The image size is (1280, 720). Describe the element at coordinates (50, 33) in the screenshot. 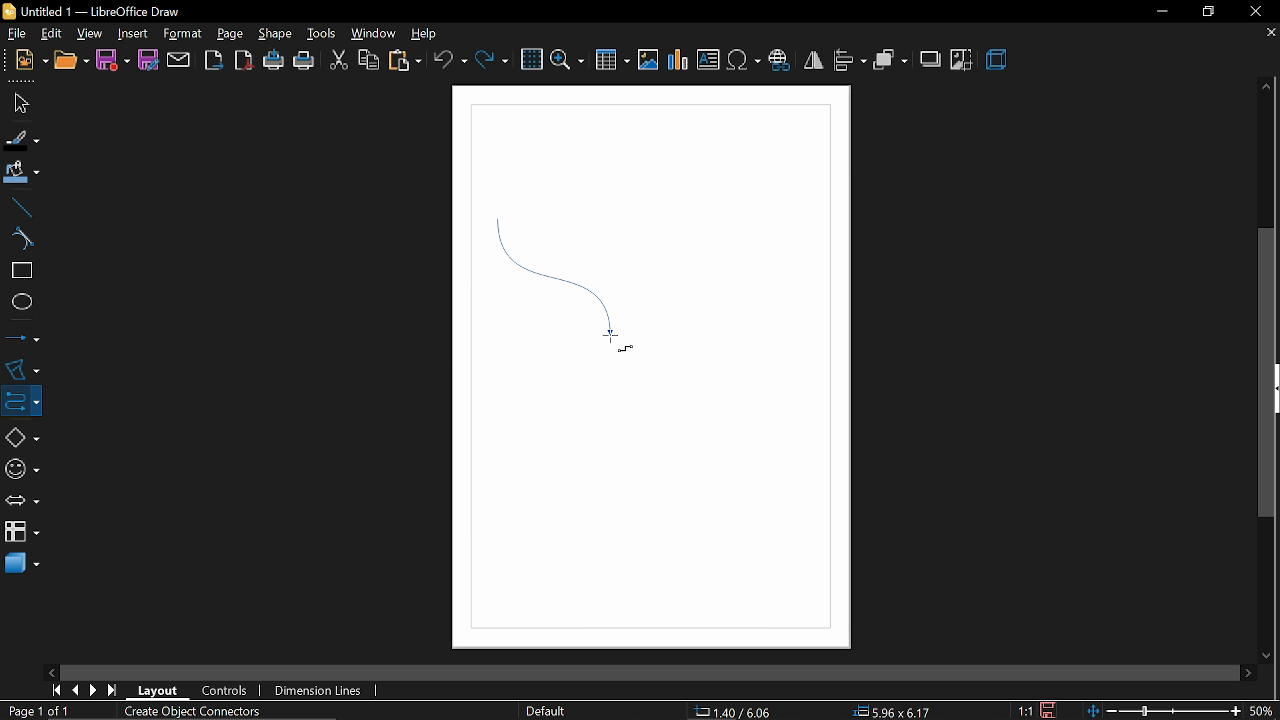

I see `edit` at that location.